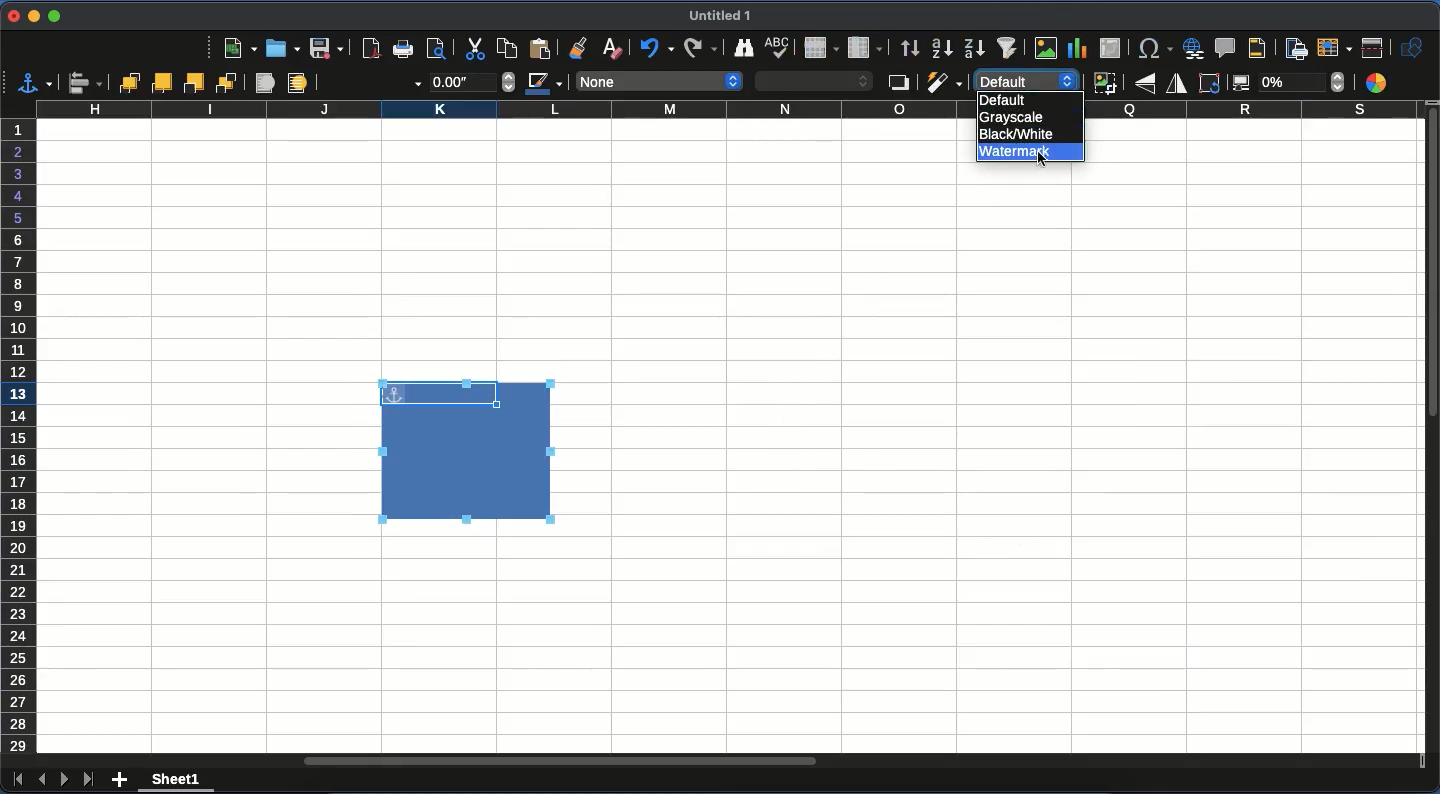  Describe the element at coordinates (1048, 48) in the screenshot. I see `image` at that location.